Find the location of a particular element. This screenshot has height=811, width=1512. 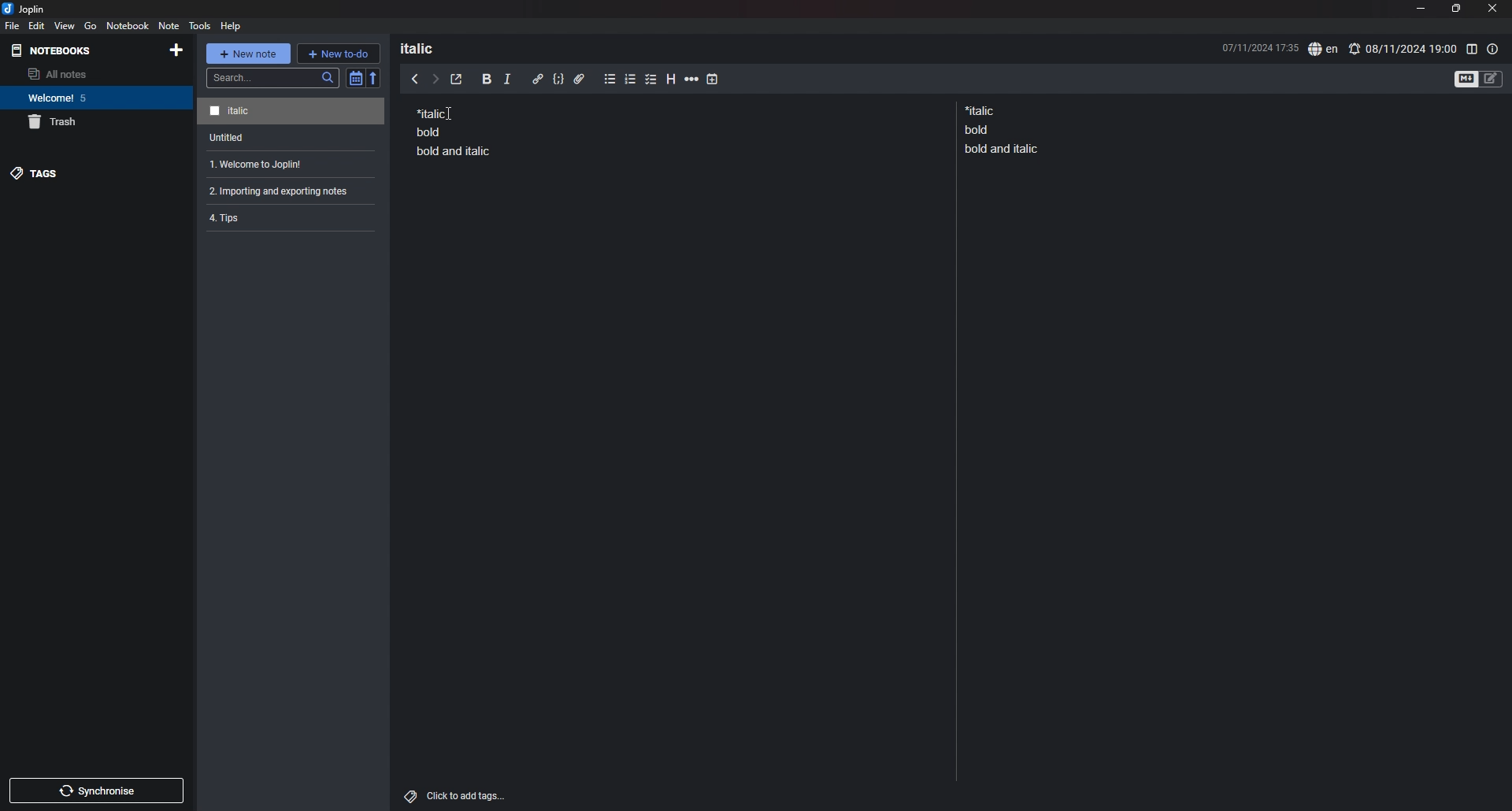

bullet list is located at coordinates (610, 80).